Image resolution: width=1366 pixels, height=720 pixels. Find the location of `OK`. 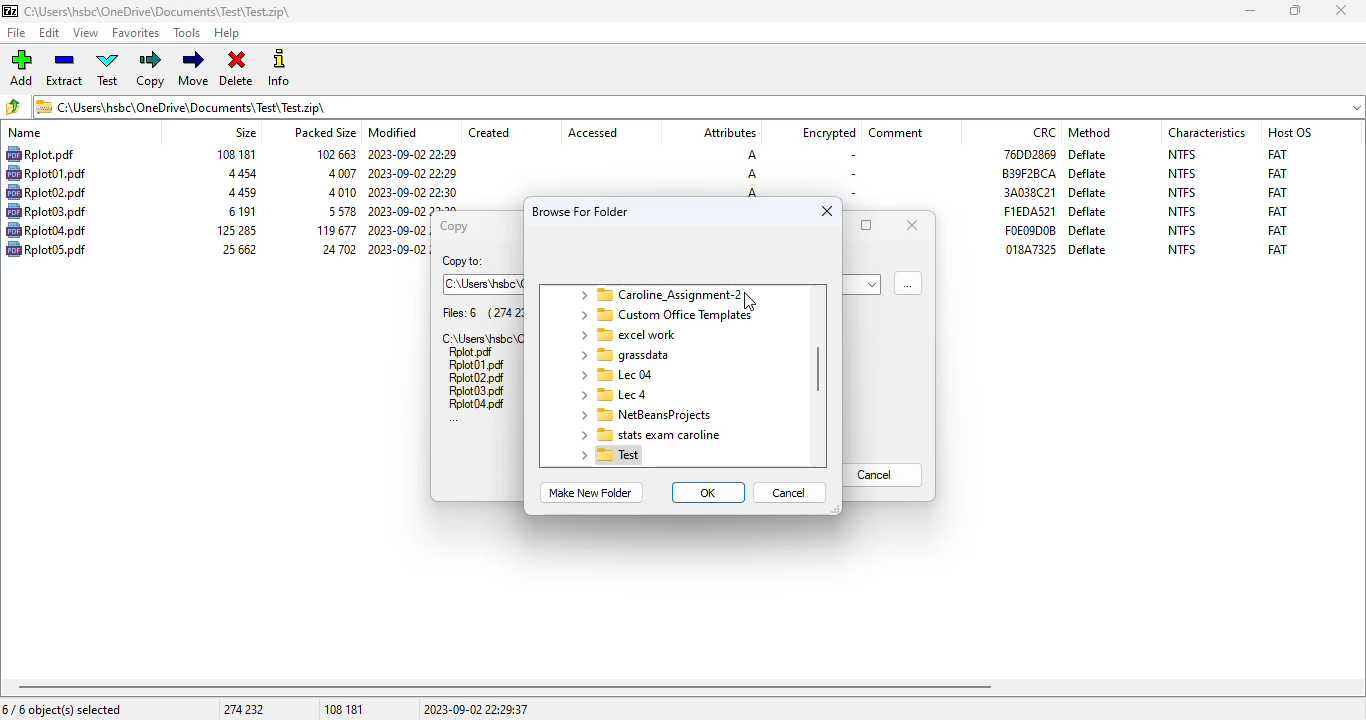

OK is located at coordinates (709, 492).